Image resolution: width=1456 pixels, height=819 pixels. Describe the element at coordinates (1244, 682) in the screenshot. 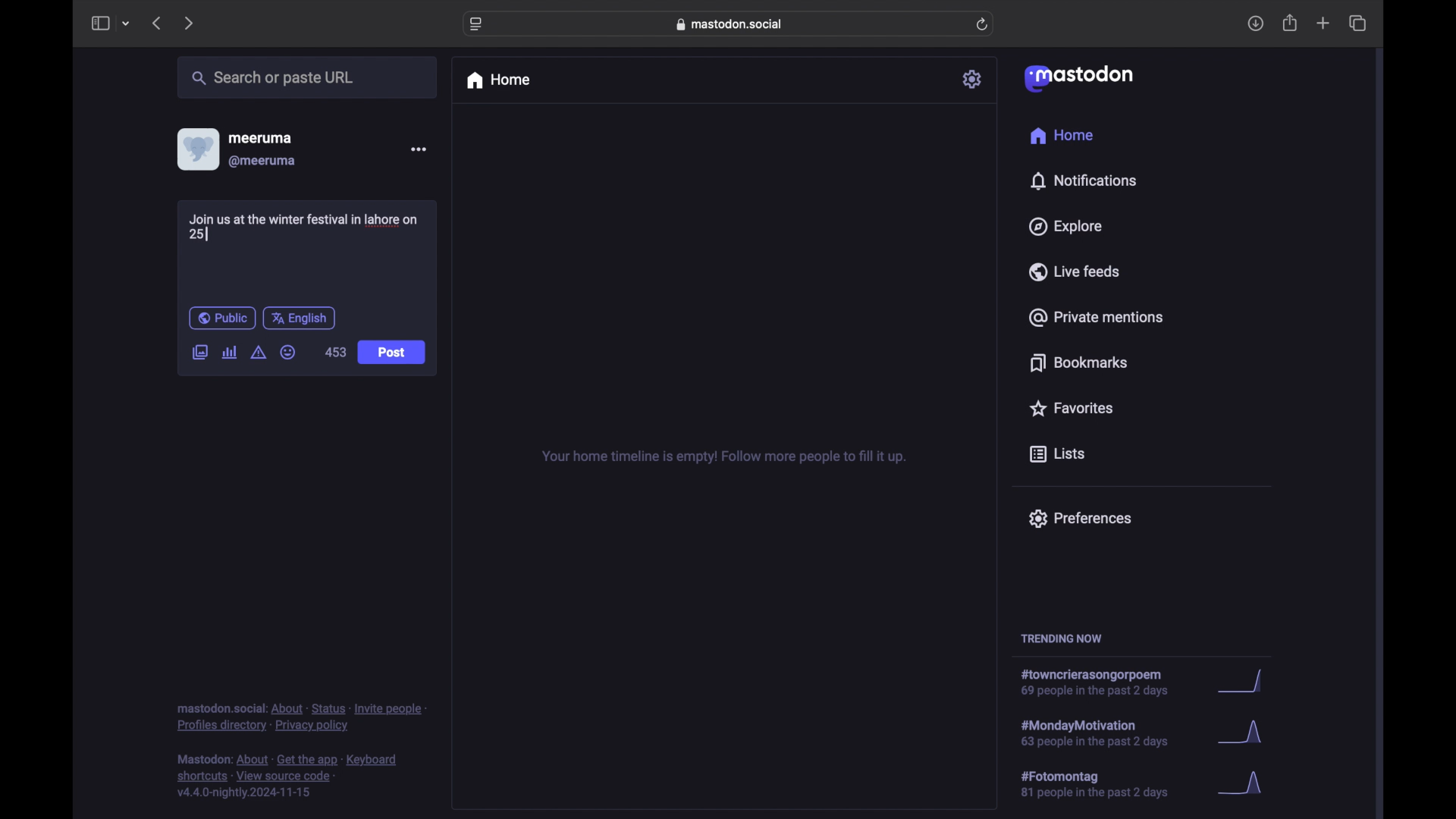

I see `graph` at that location.